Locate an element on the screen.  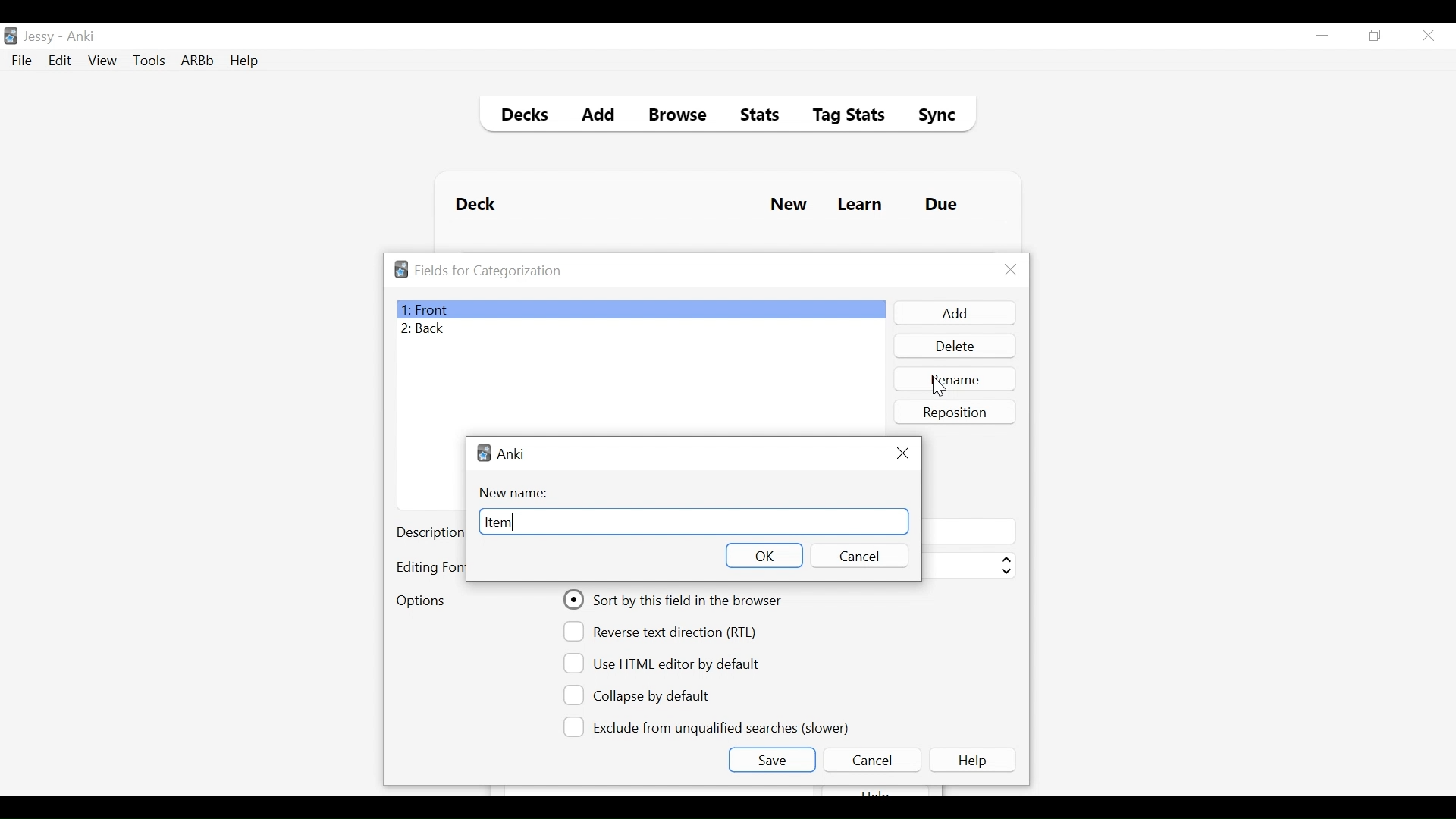
minimize is located at coordinates (1322, 36).